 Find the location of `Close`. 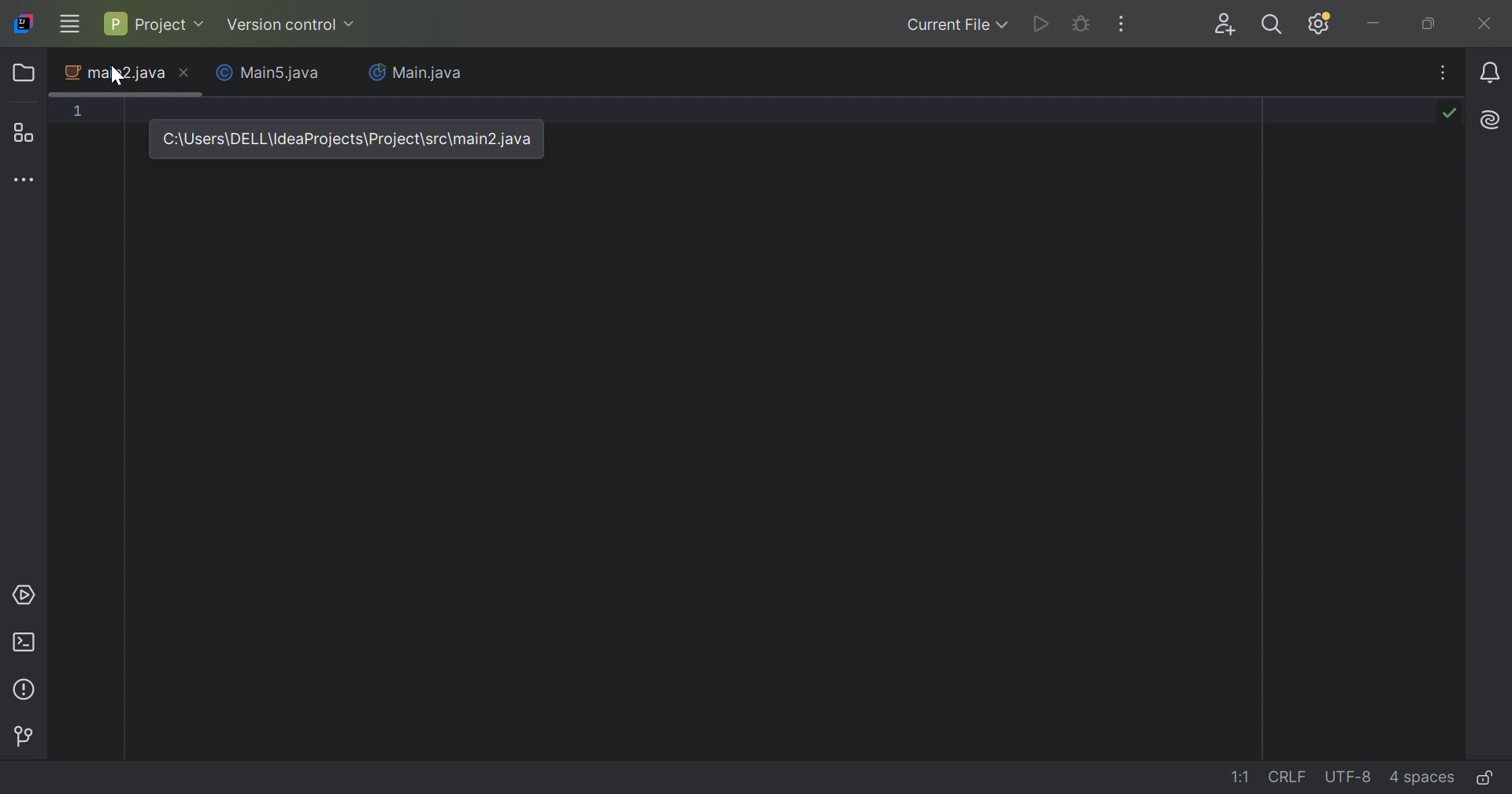

Close is located at coordinates (185, 76).